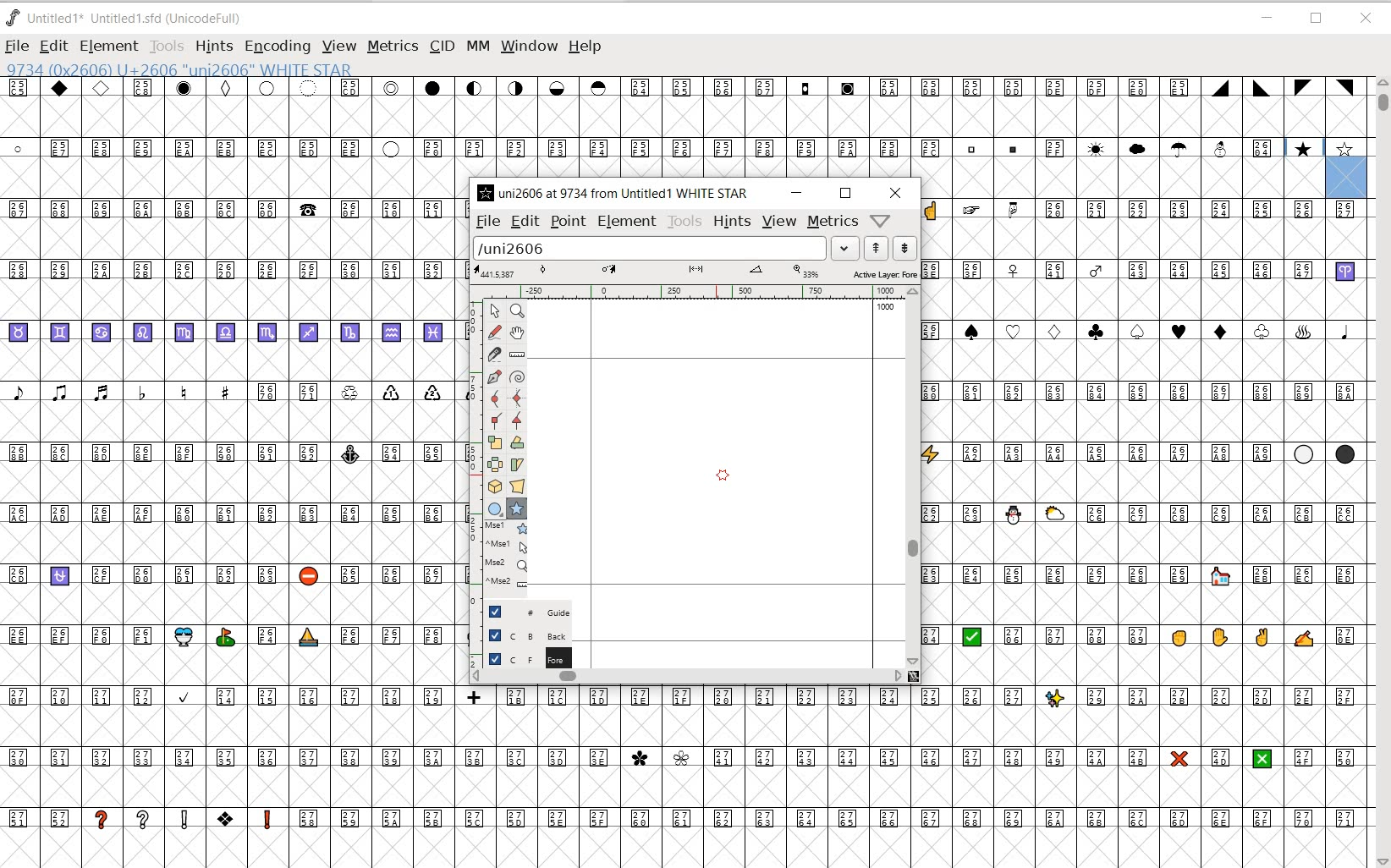 The height and width of the screenshot is (868, 1391). I want to click on MINIMIZE, so click(796, 193).